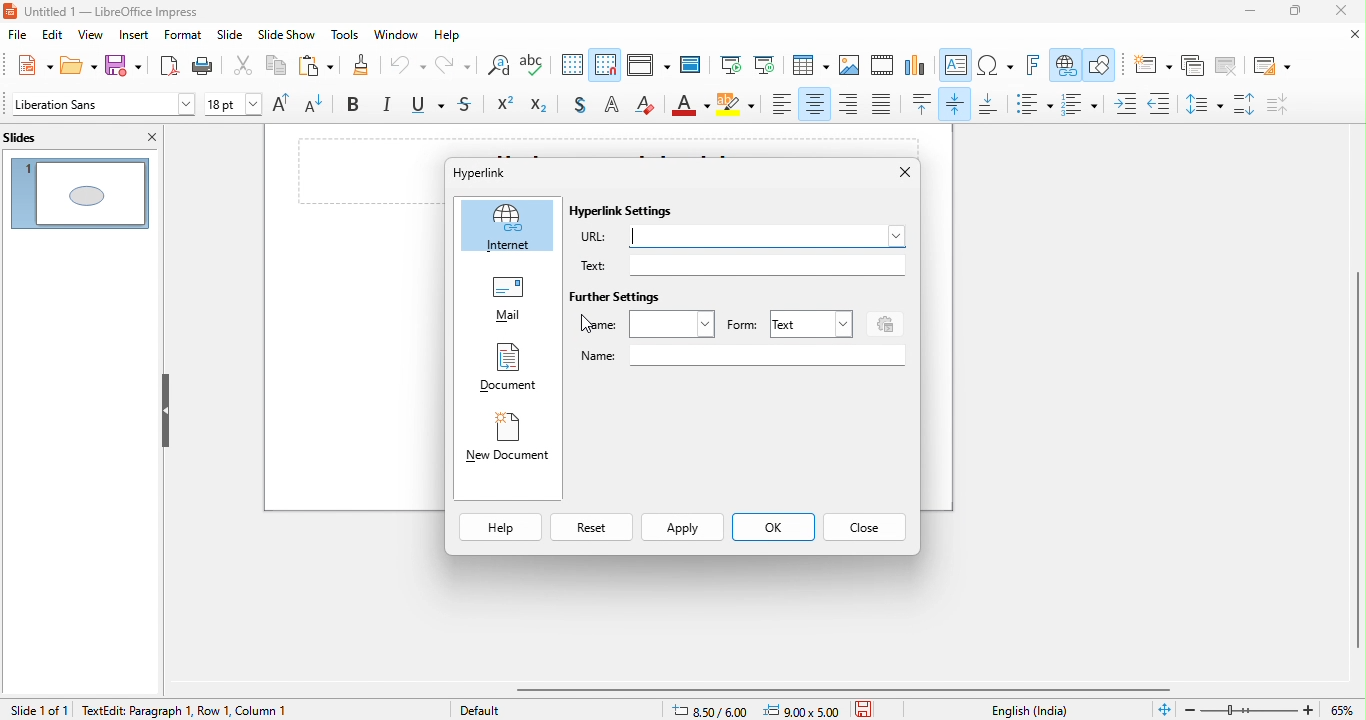 Image resolution: width=1366 pixels, height=720 pixels. What do you see at coordinates (896, 173) in the screenshot?
I see `close` at bounding box center [896, 173].